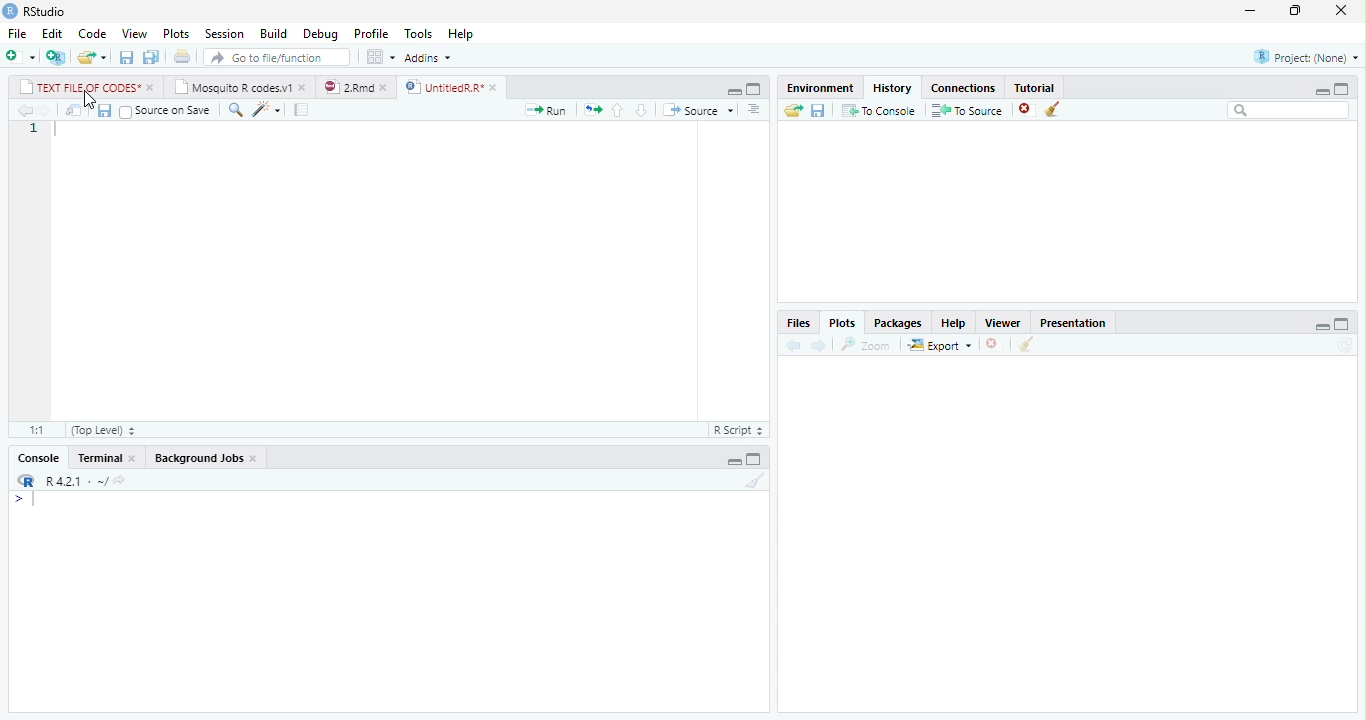 The image size is (1366, 720). What do you see at coordinates (1250, 10) in the screenshot?
I see `minimize` at bounding box center [1250, 10].